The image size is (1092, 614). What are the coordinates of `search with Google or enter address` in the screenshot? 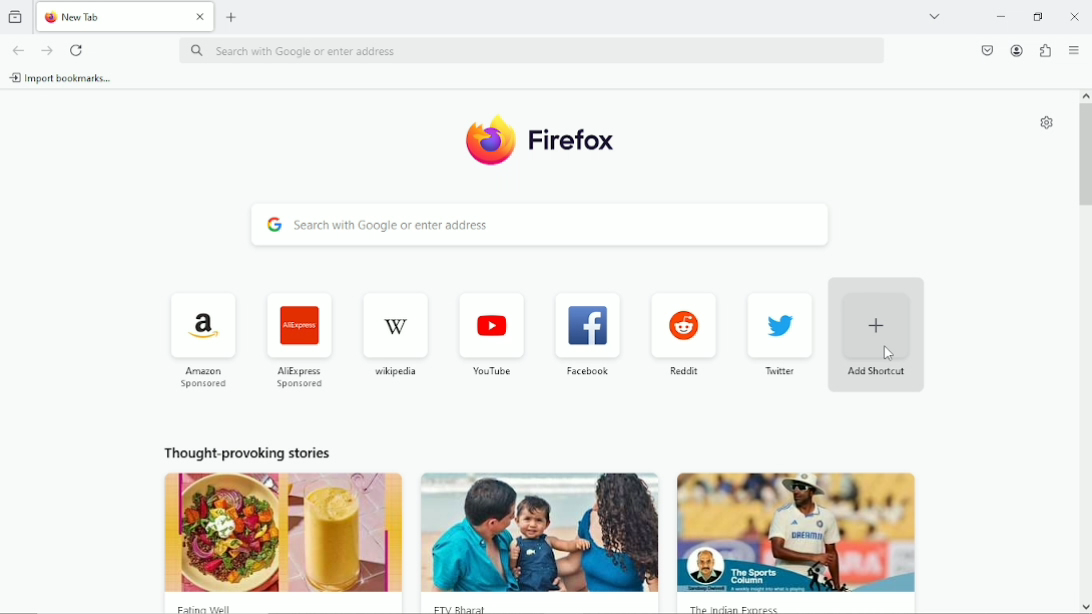 It's located at (530, 52).